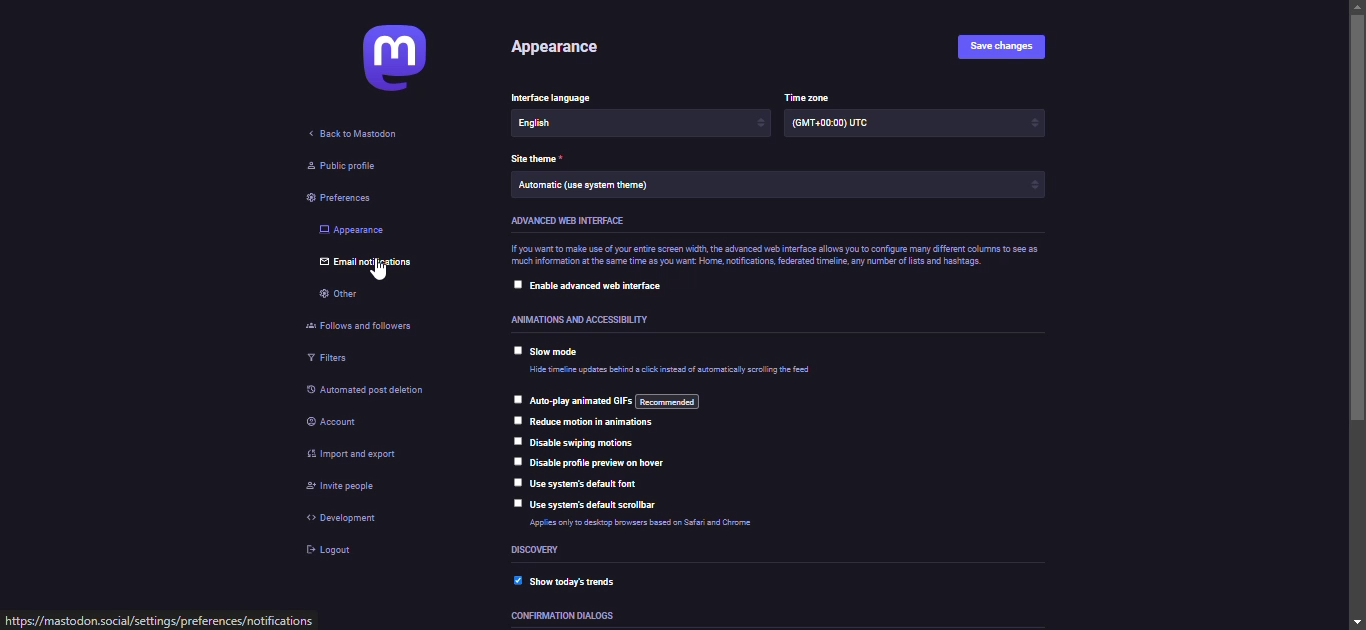  I want to click on info, so click(643, 521).